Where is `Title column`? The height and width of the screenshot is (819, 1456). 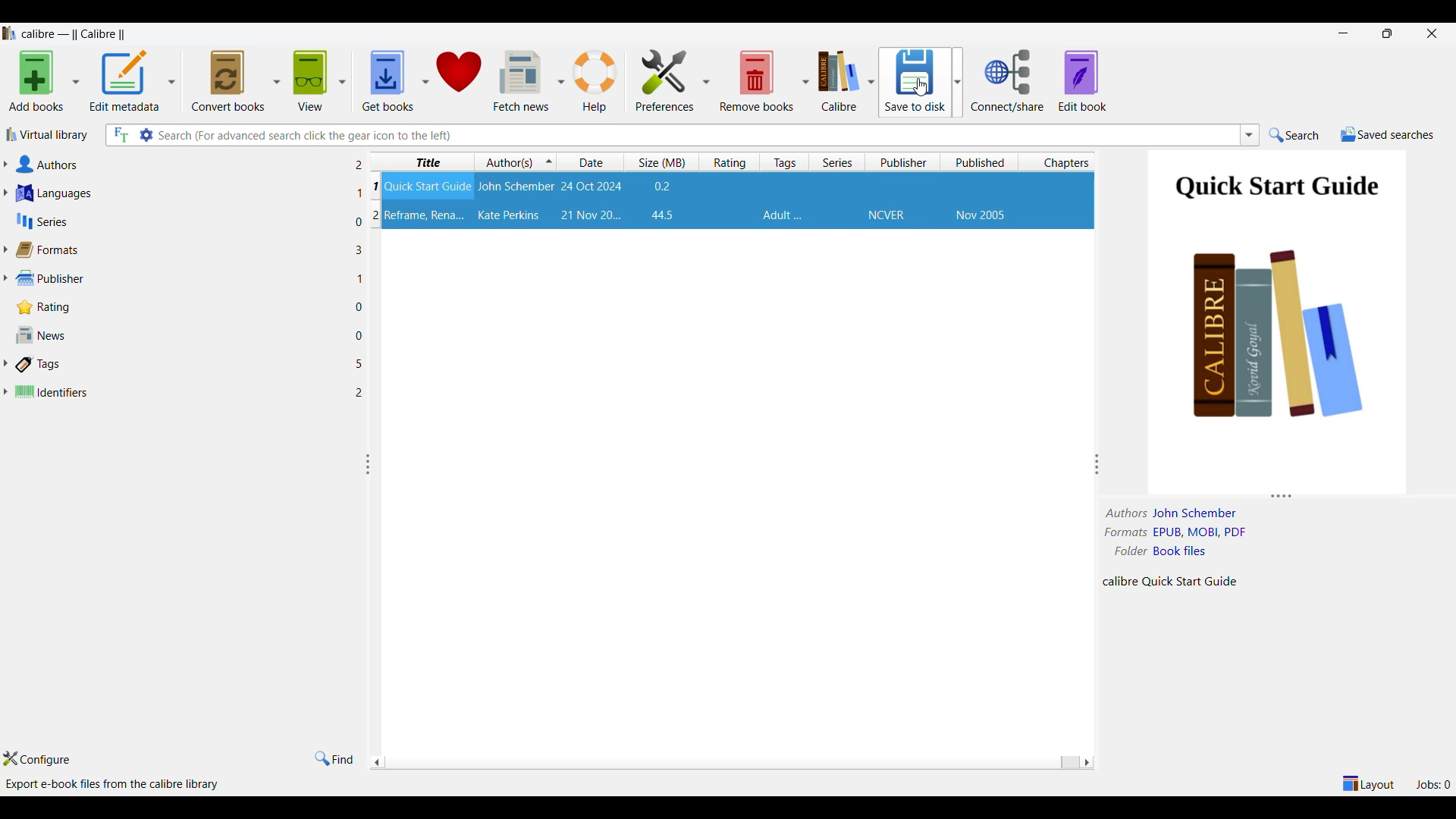
Title column is located at coordinates (427, 162).